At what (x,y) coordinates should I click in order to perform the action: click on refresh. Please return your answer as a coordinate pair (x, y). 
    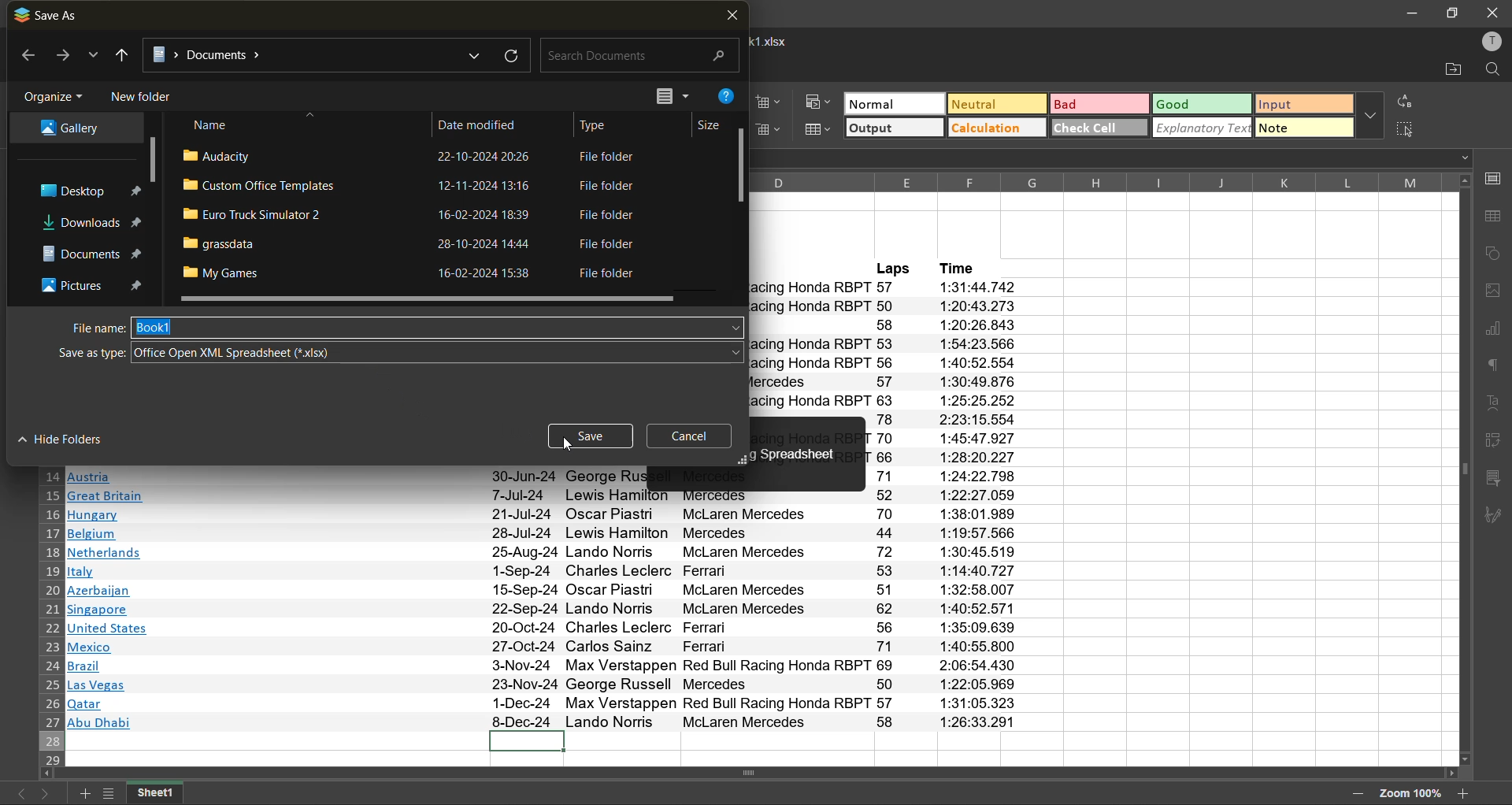
    Looking at the image, I should click on (514, 56).